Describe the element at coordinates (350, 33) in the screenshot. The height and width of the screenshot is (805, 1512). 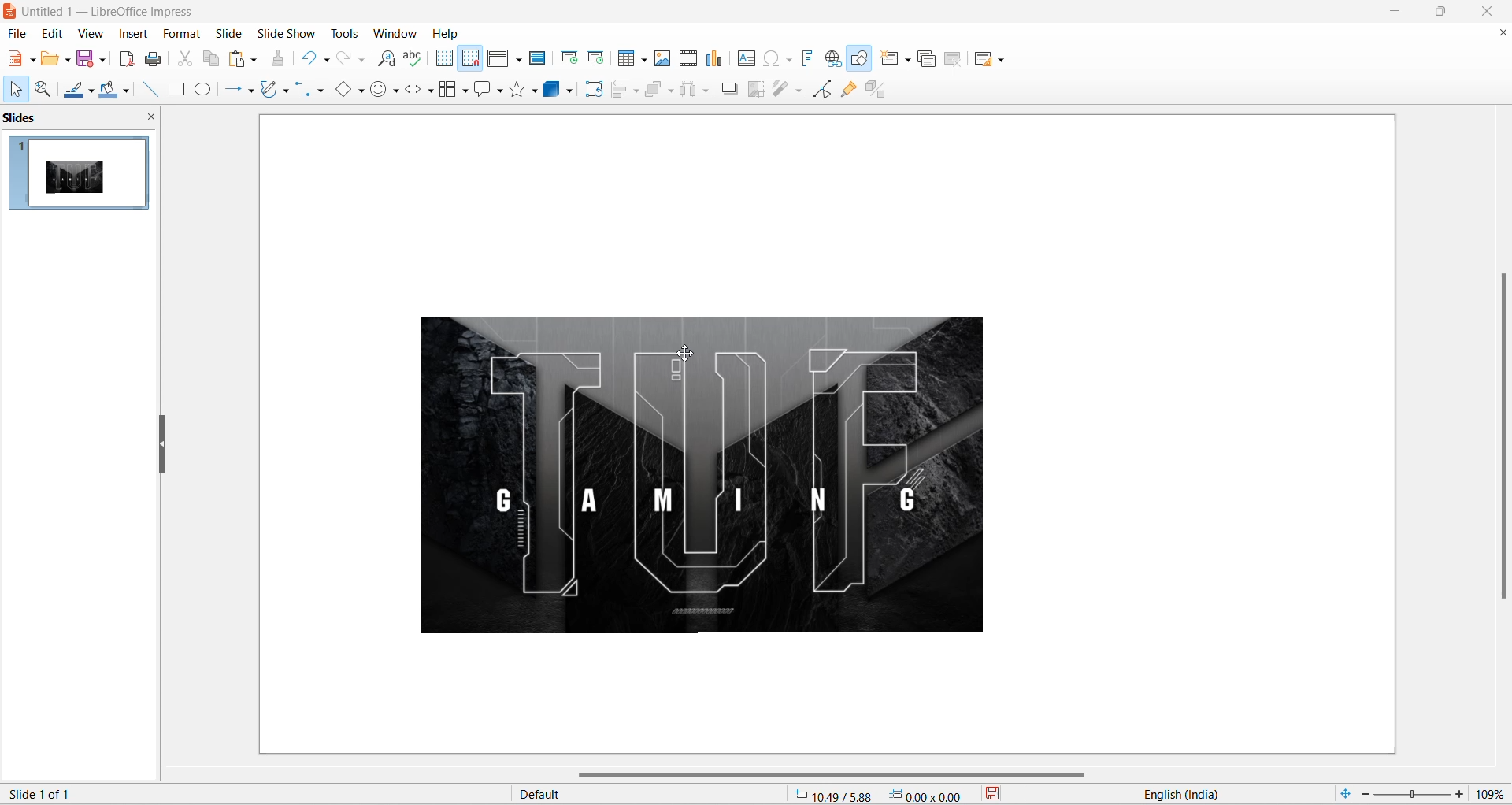
I see `tools` at that location.